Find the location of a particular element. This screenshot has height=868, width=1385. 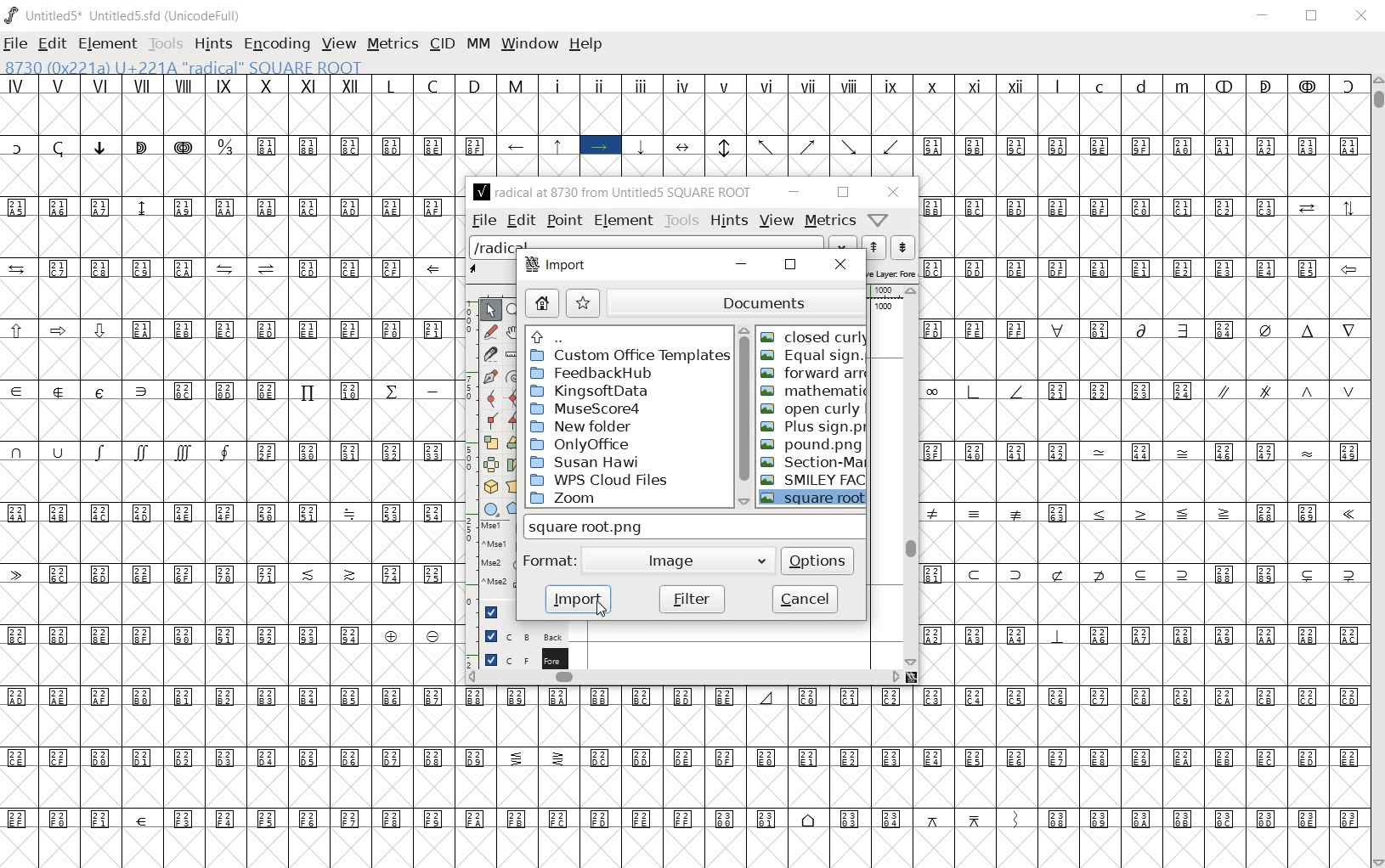

Glyph characters is located at coordinates (912, 777).